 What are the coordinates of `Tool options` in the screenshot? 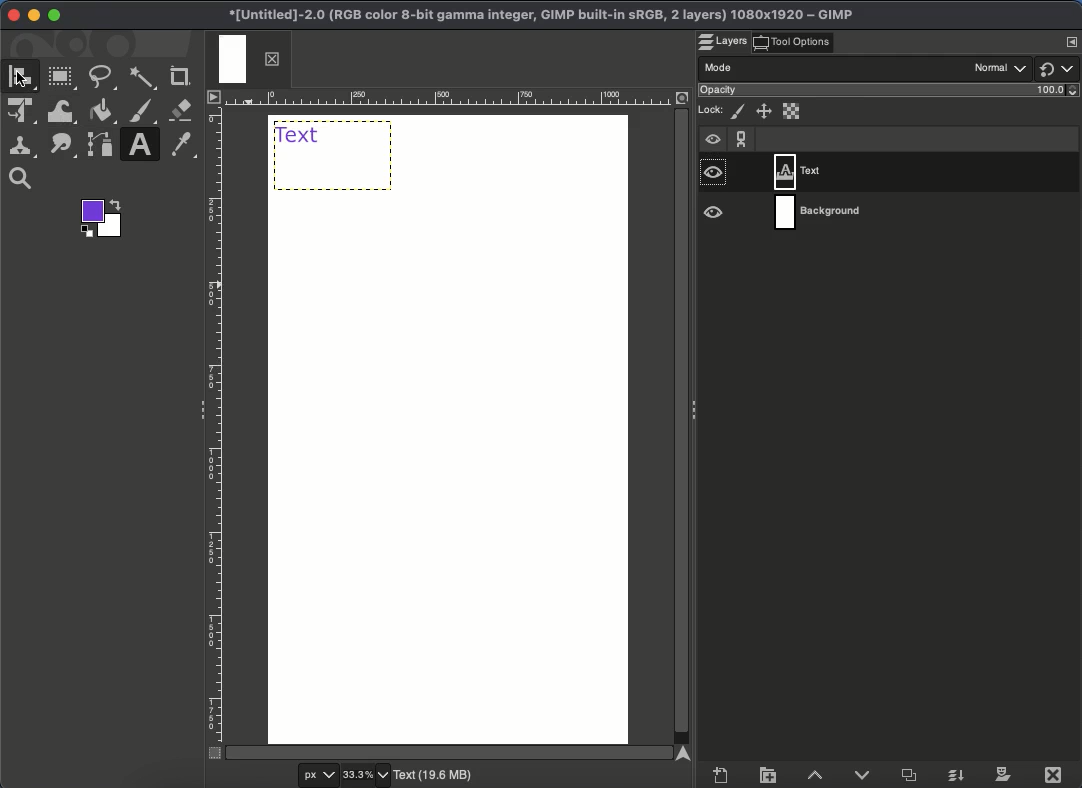 It's located at (793, 41).